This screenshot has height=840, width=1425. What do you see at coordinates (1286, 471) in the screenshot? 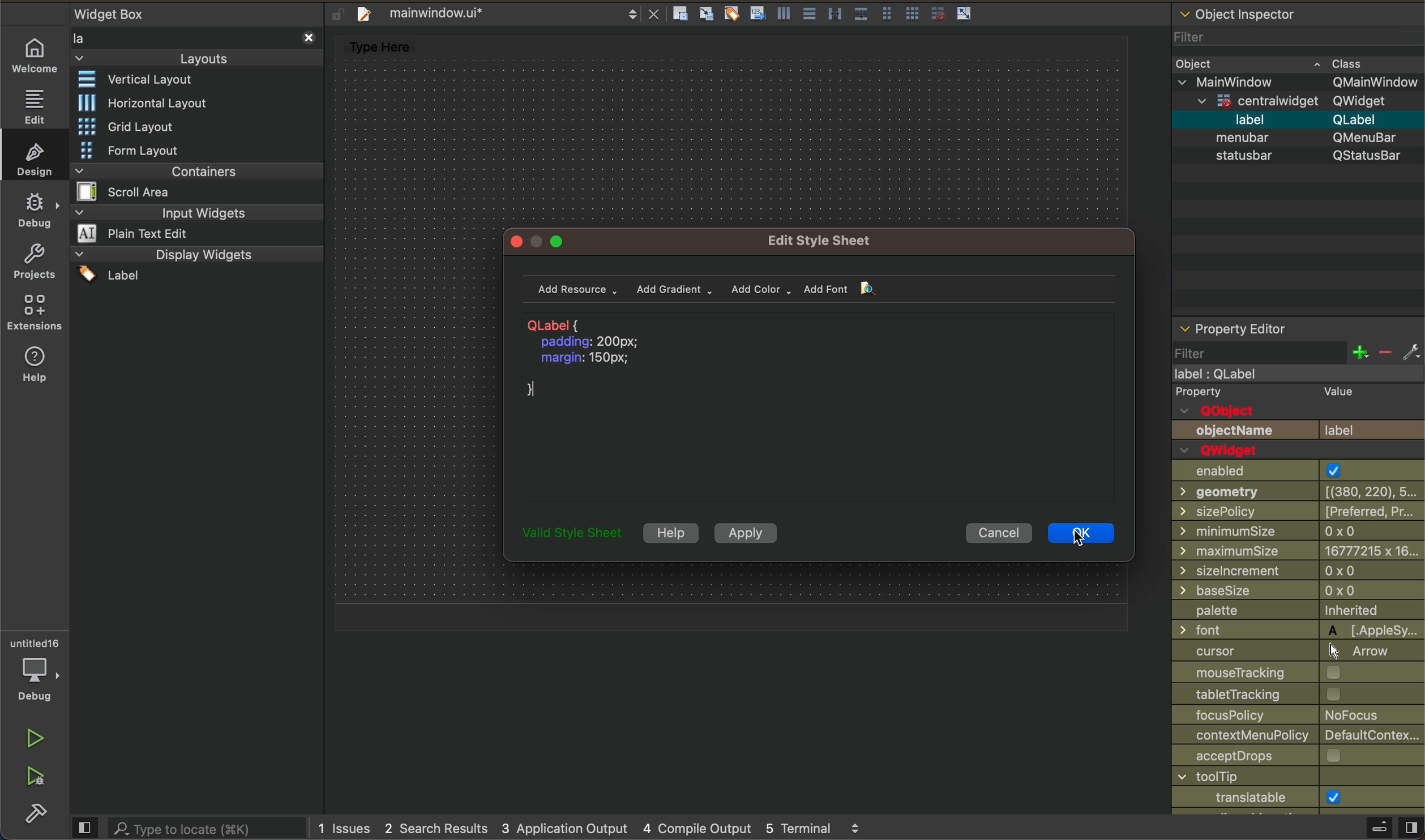
I see `enabled` at bounding box center [1286, 471].